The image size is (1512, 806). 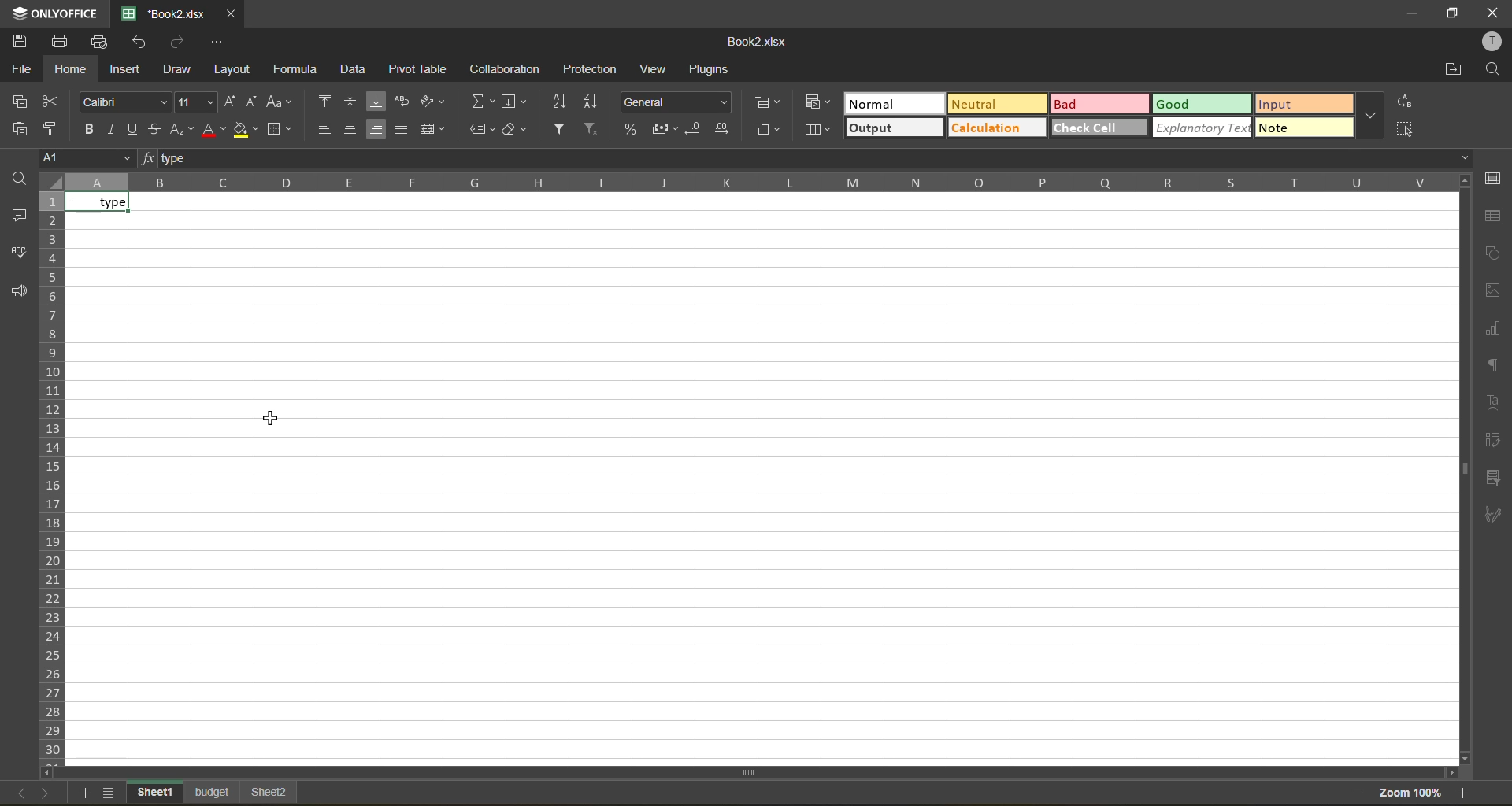 I want to click on home, so click(x=74, y=68).